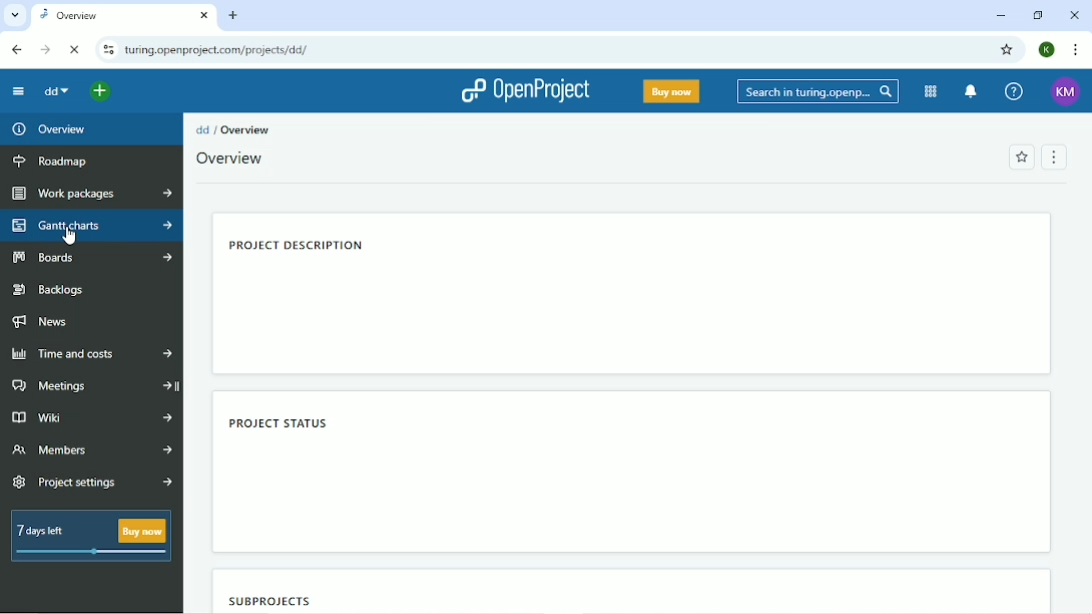 The height and width of the screenshot is (614, 1092). I want to click on Close, so click(1074, 15).